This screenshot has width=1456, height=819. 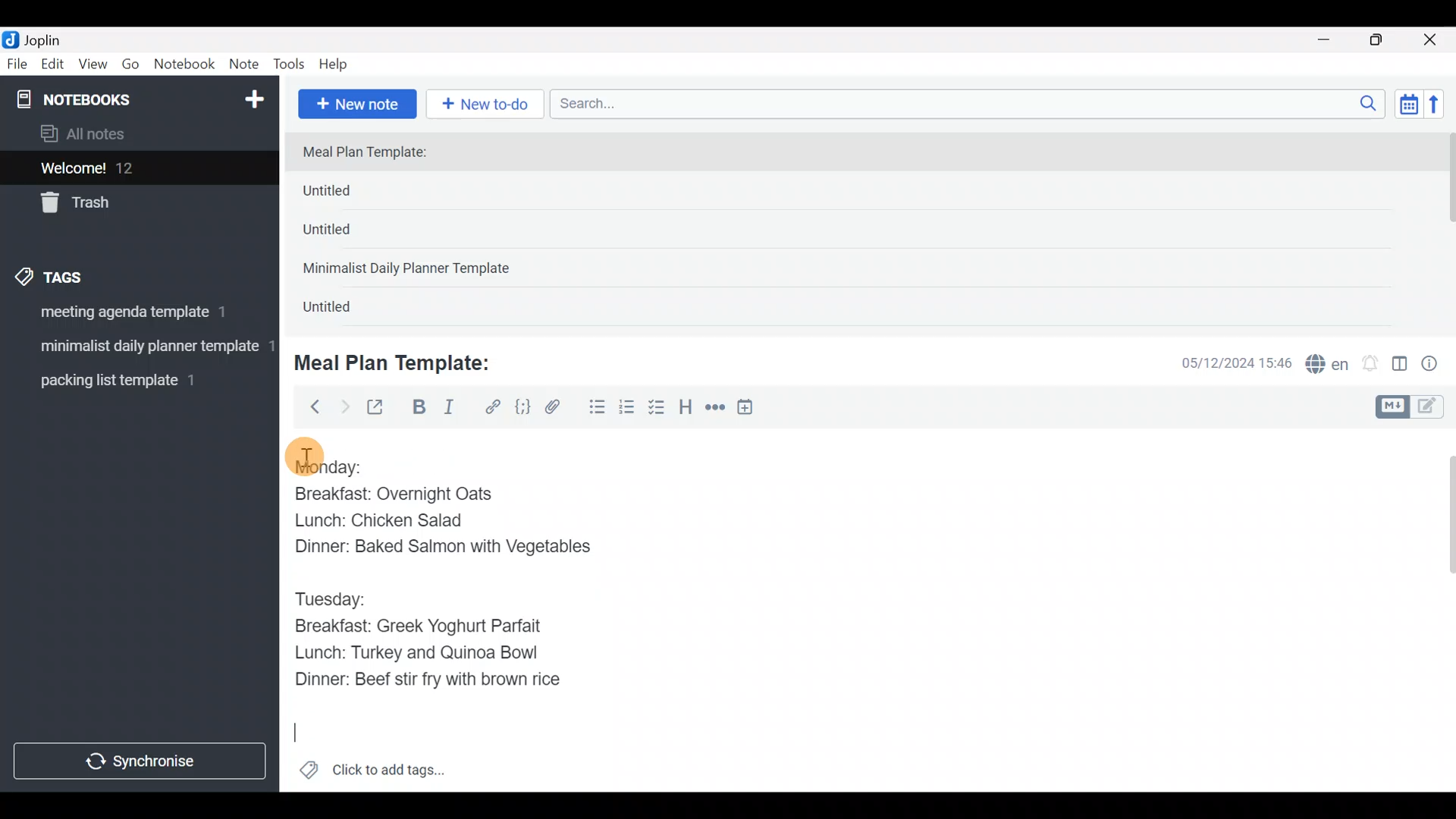 What do you see at coordinates (1332, 38) in the screenshot?
I see `Minimize` at bounding box center [1332, 38].